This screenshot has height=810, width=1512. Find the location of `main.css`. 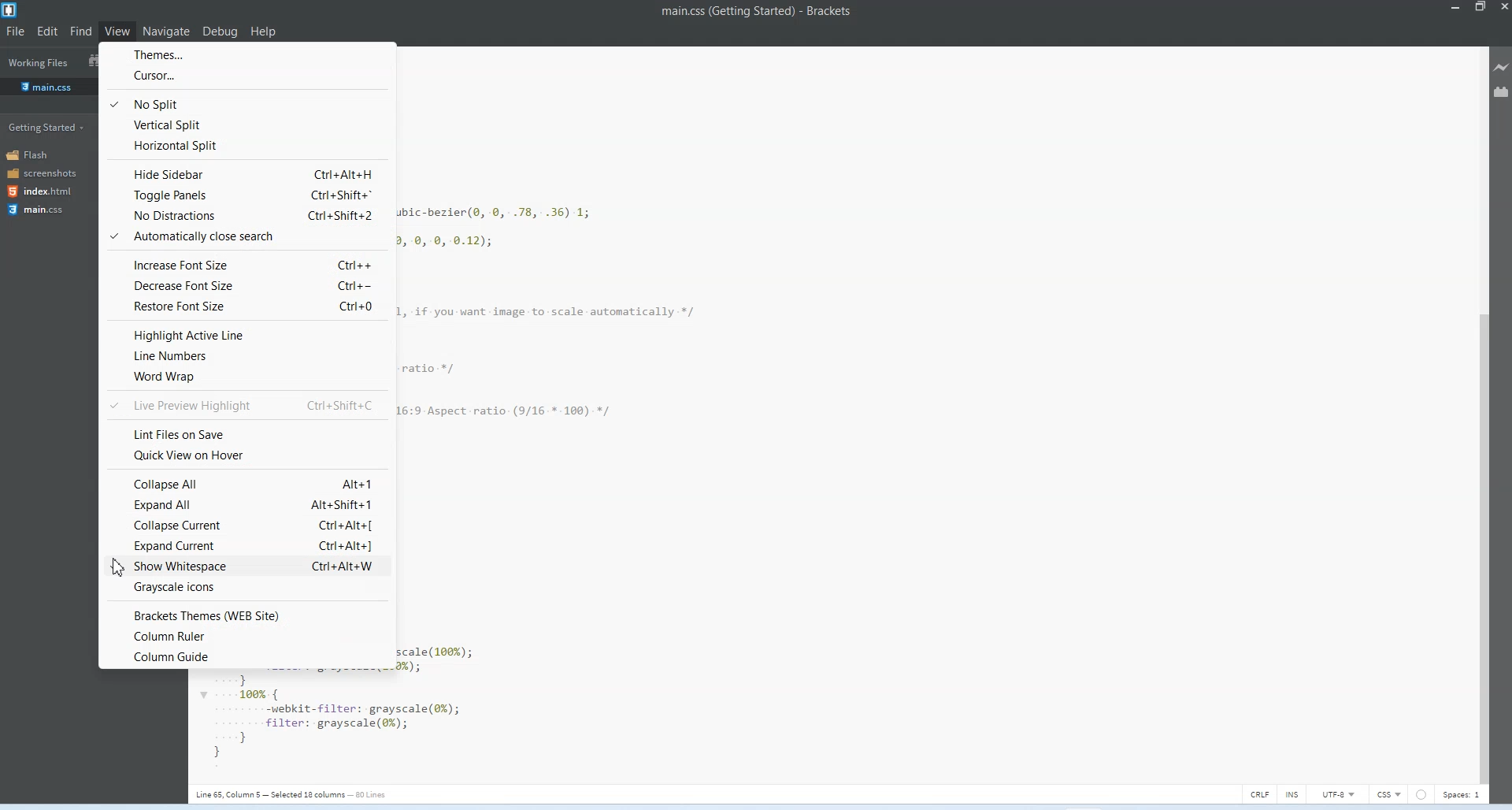

main.css is located at coordinates (46, 86).